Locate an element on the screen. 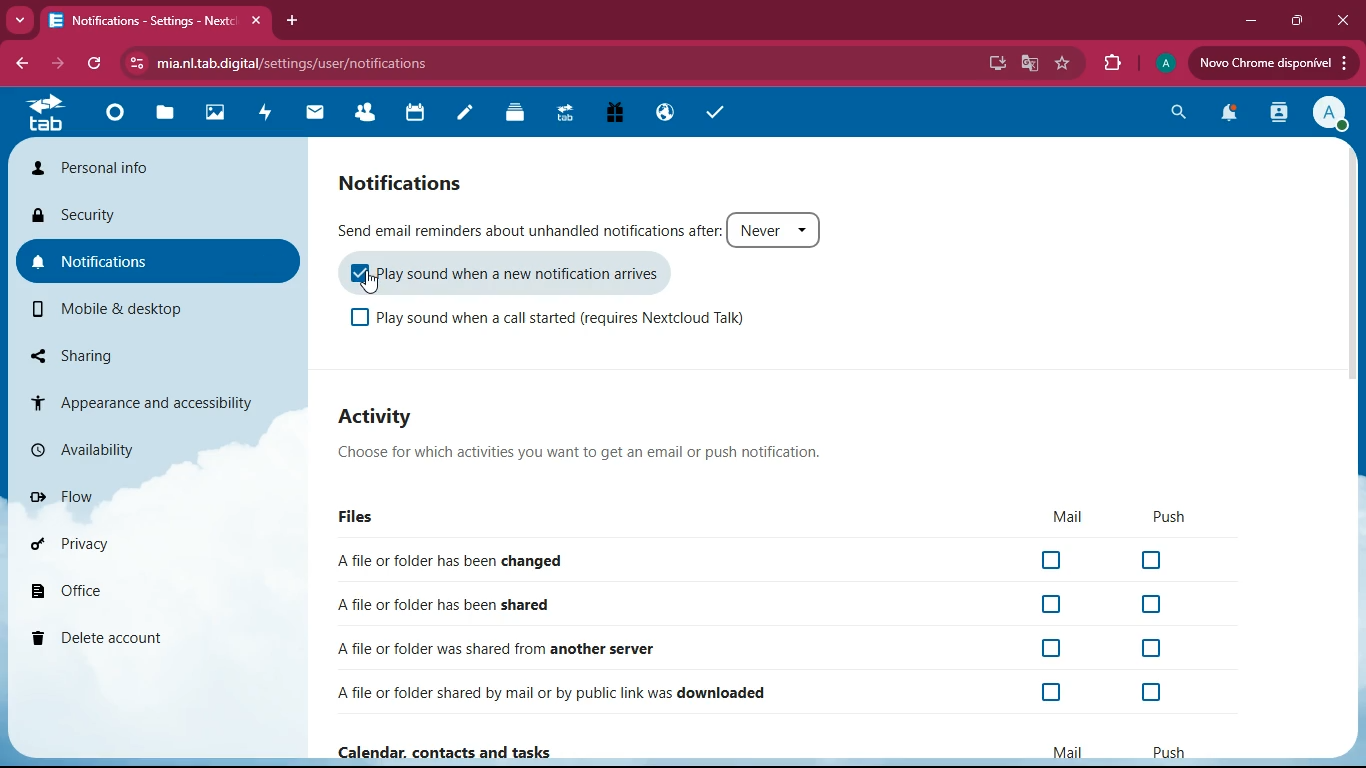  refresh is located at coordinates (95, 64).